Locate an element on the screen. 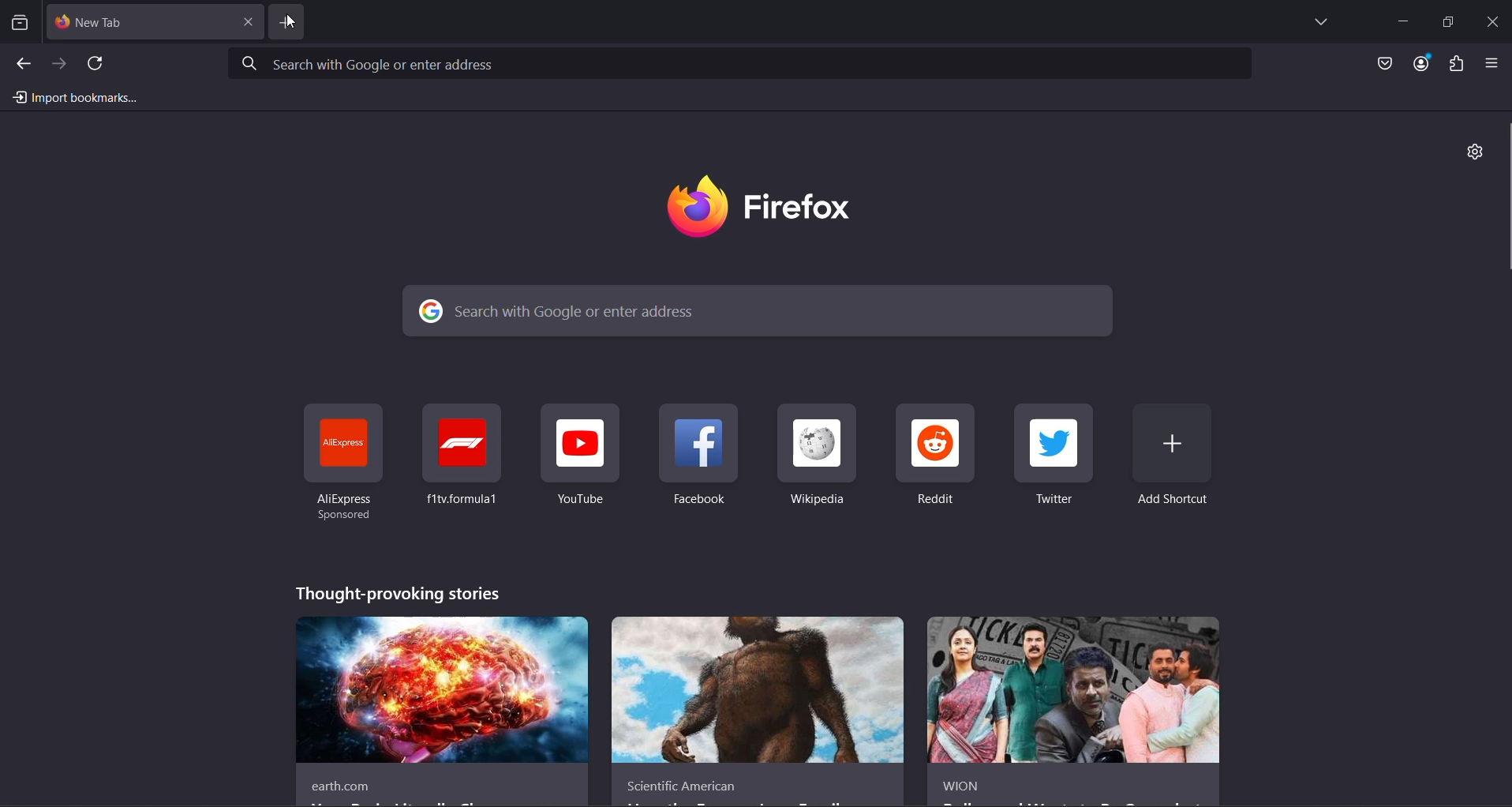 The height and width of the screenshot is (807, 1512). shortcut is located at coordinates (462, 456).